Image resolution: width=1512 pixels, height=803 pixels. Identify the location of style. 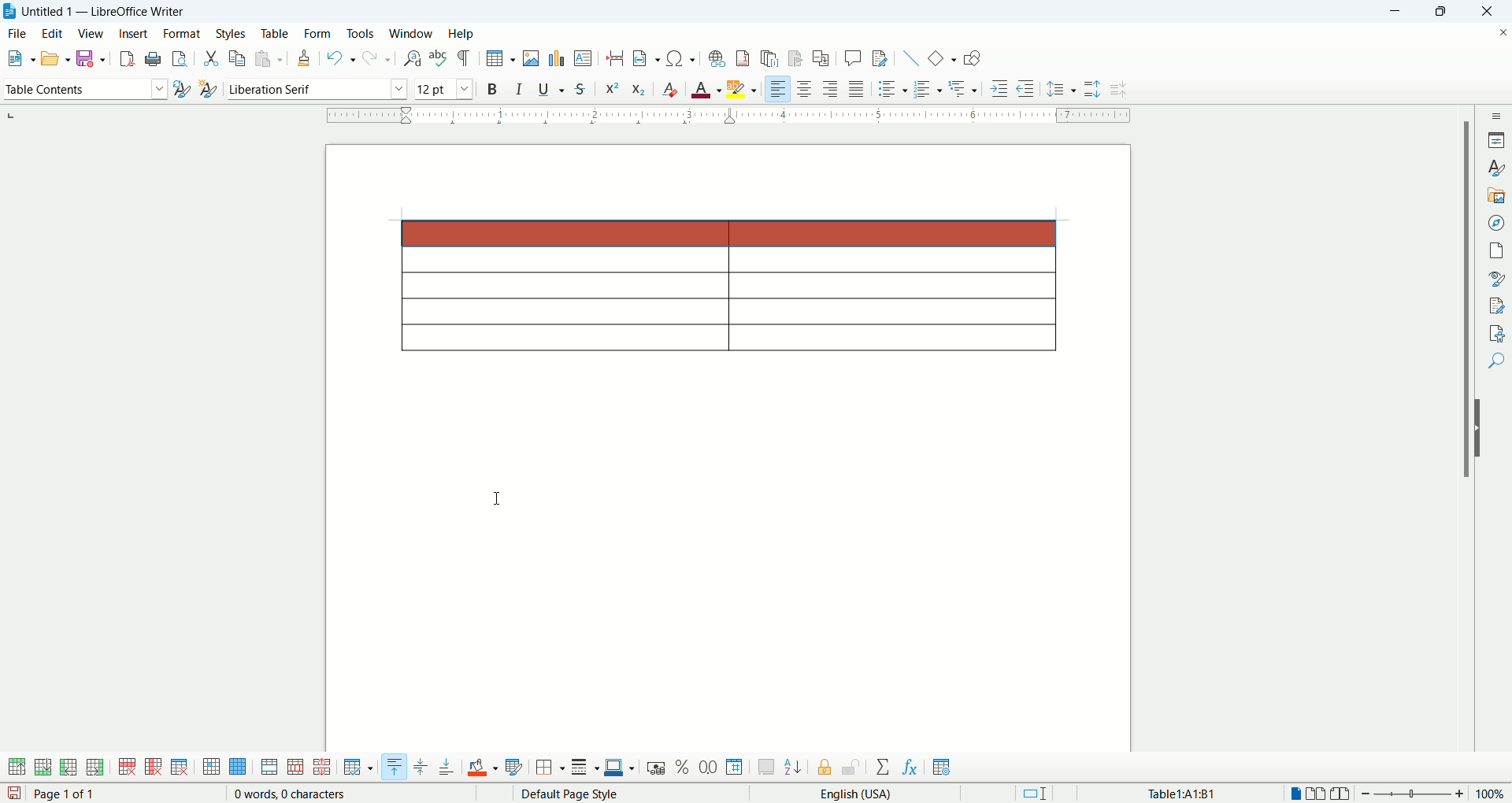
(1495, 168).